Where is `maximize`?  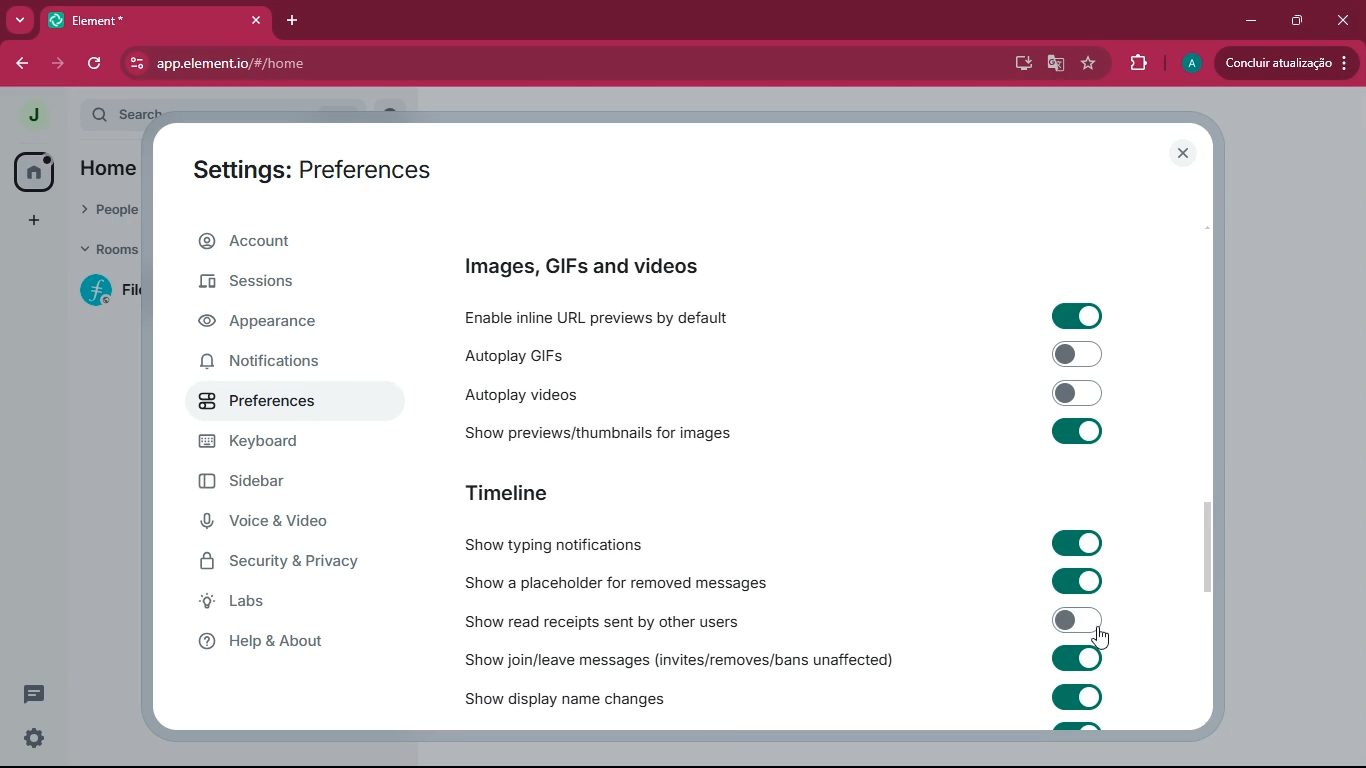
maximize is located at coordinates (1298, 21).